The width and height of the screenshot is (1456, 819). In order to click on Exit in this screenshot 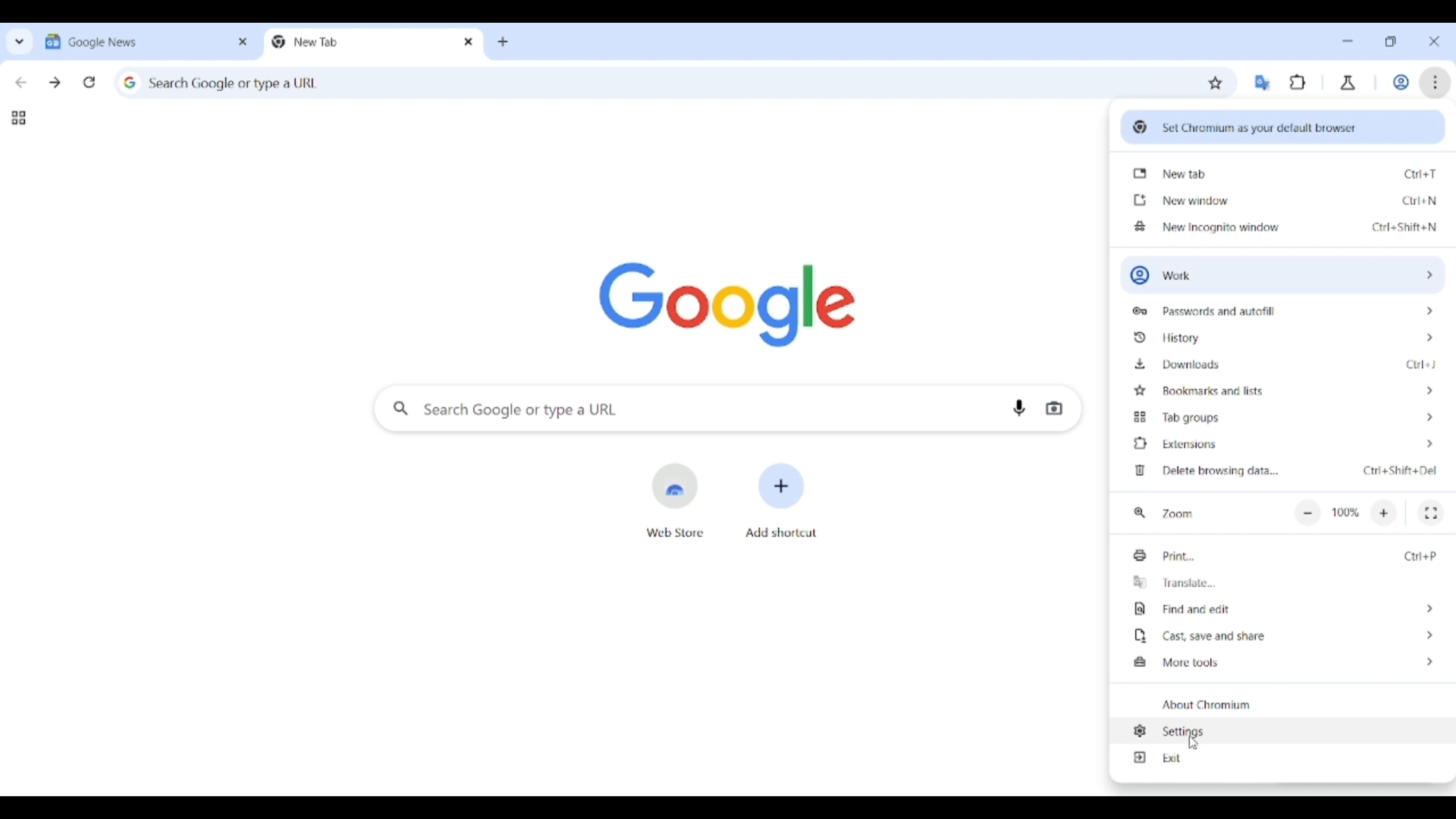, I will do `click(1283, 757)`.